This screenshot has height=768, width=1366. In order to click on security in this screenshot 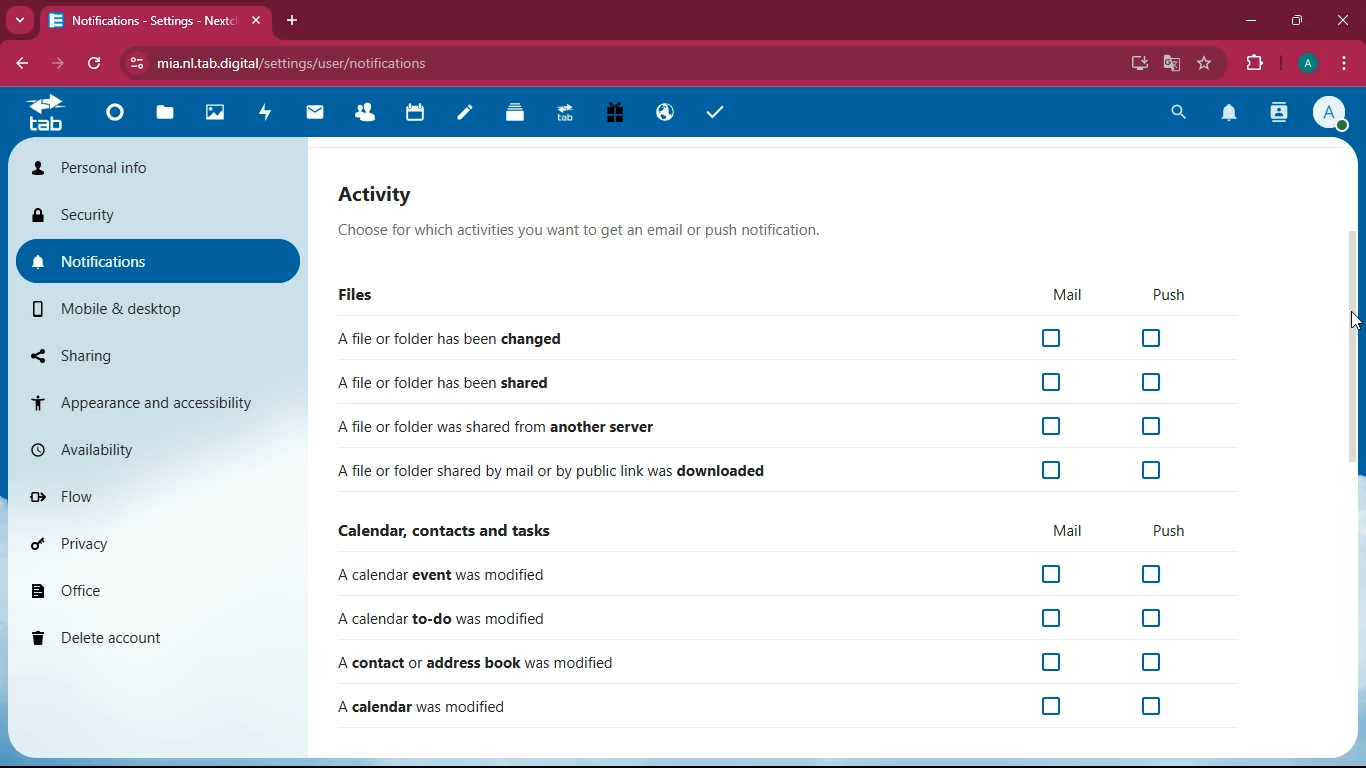, I will do `click(158, 213)`.